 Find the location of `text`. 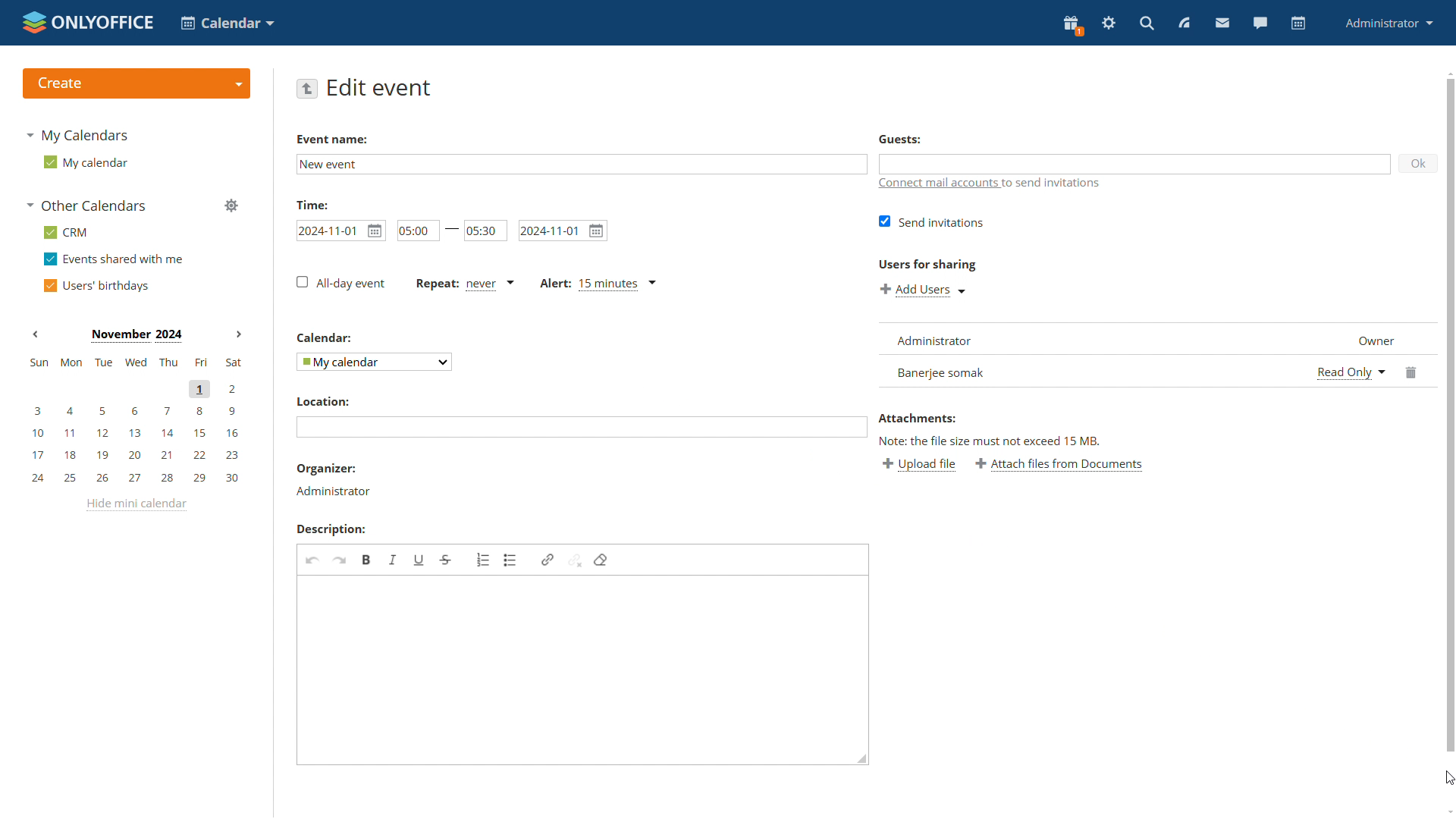

text is located at coordinates (1058, 183).